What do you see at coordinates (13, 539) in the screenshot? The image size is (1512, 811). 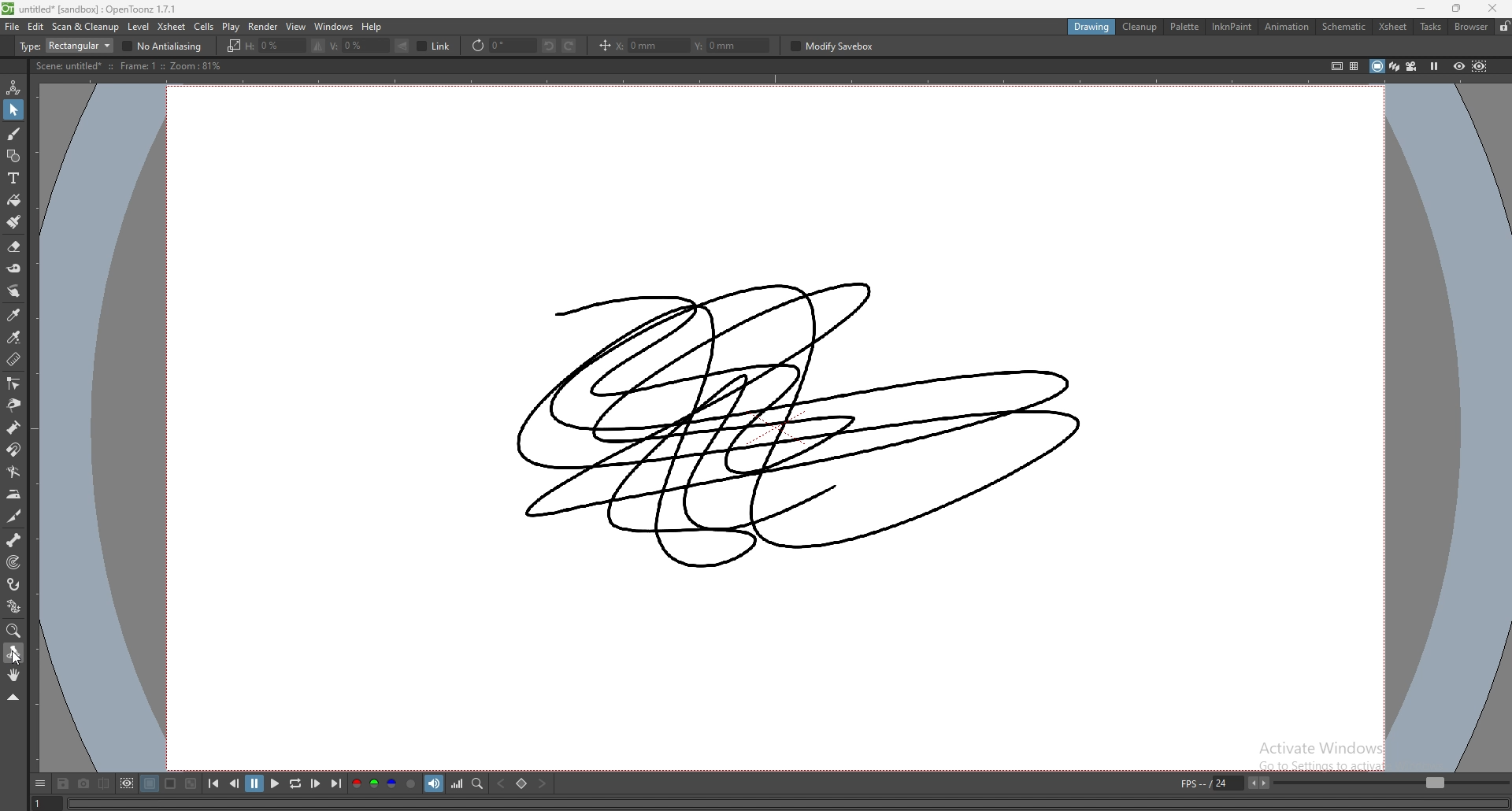 I see `skeleton` at bounding box center [13, 539].